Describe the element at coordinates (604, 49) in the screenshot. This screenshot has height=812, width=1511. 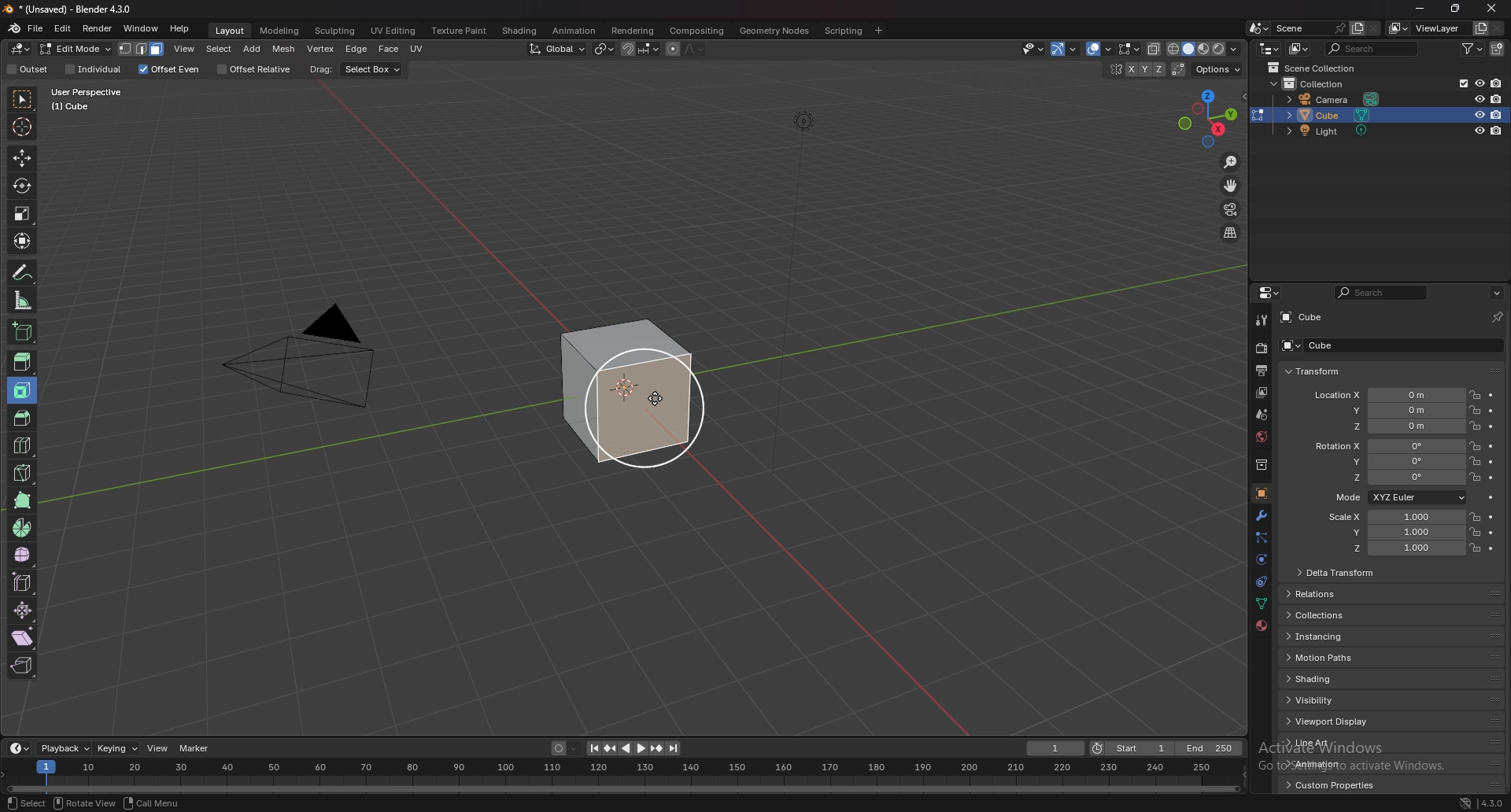
I see `transform pivot point` at that location.